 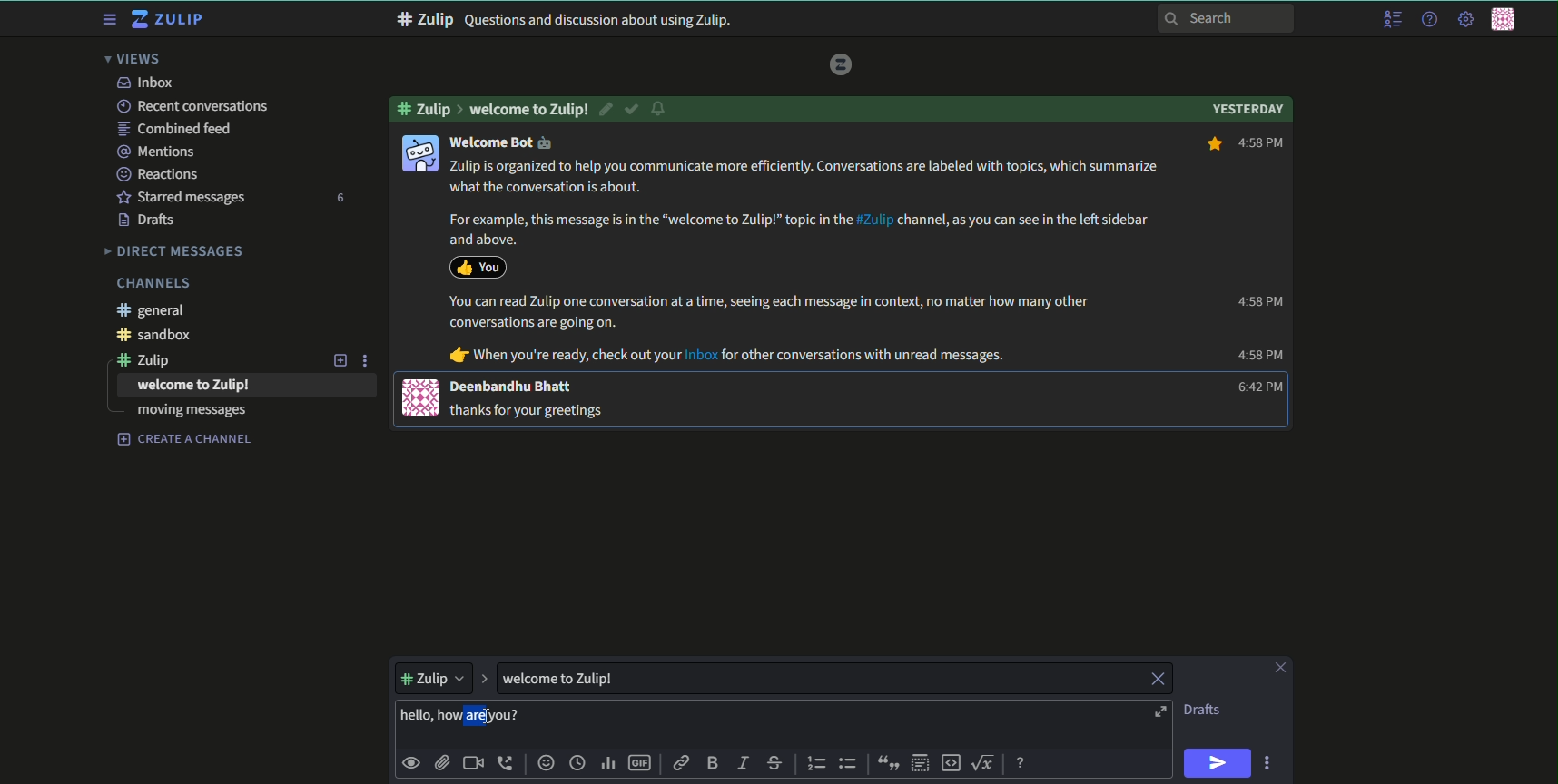 I want to click on text, so click(x=1204, y=710).